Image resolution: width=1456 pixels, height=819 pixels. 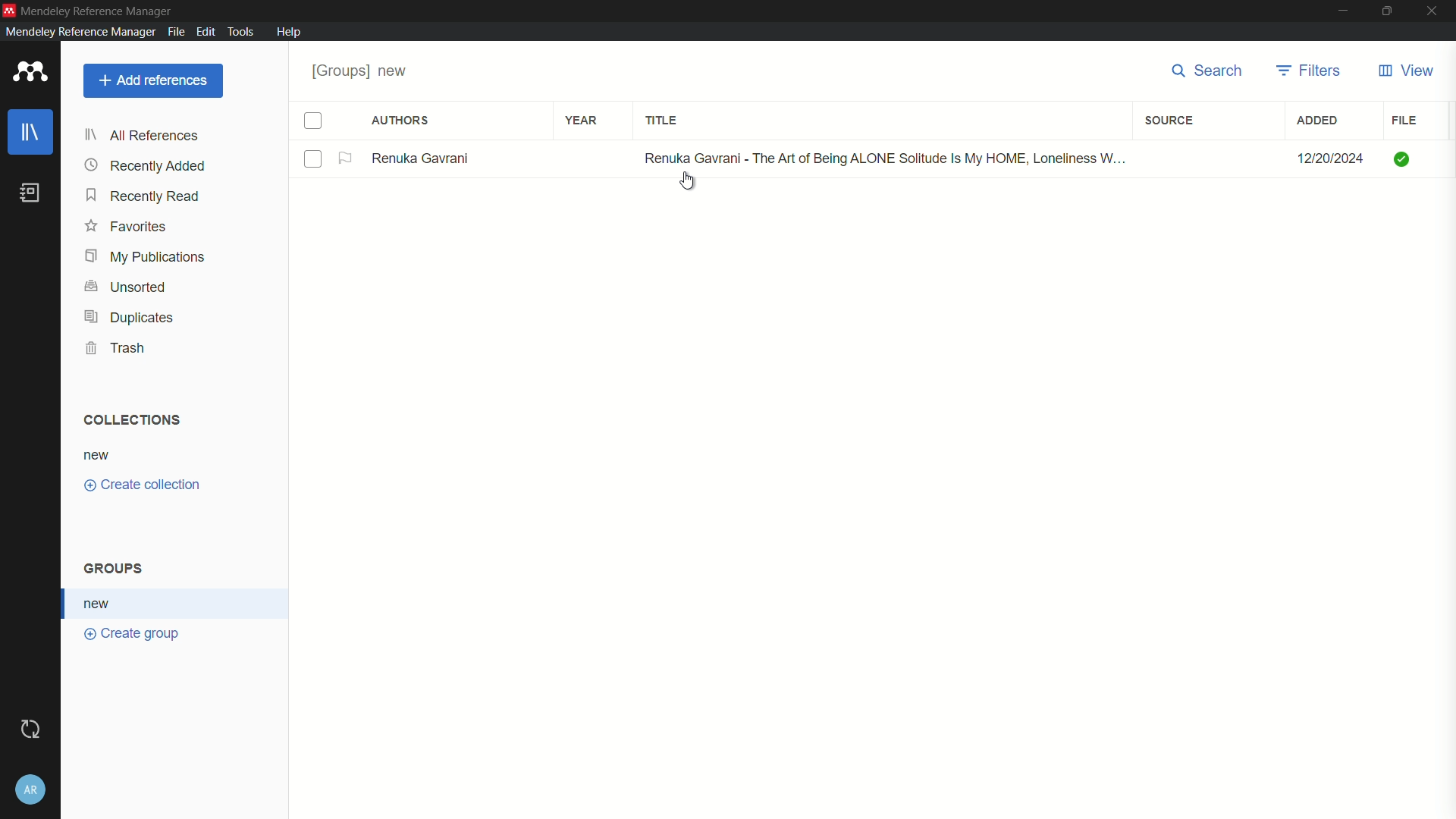 I want to click on flagged, so click(x=347, y=158).